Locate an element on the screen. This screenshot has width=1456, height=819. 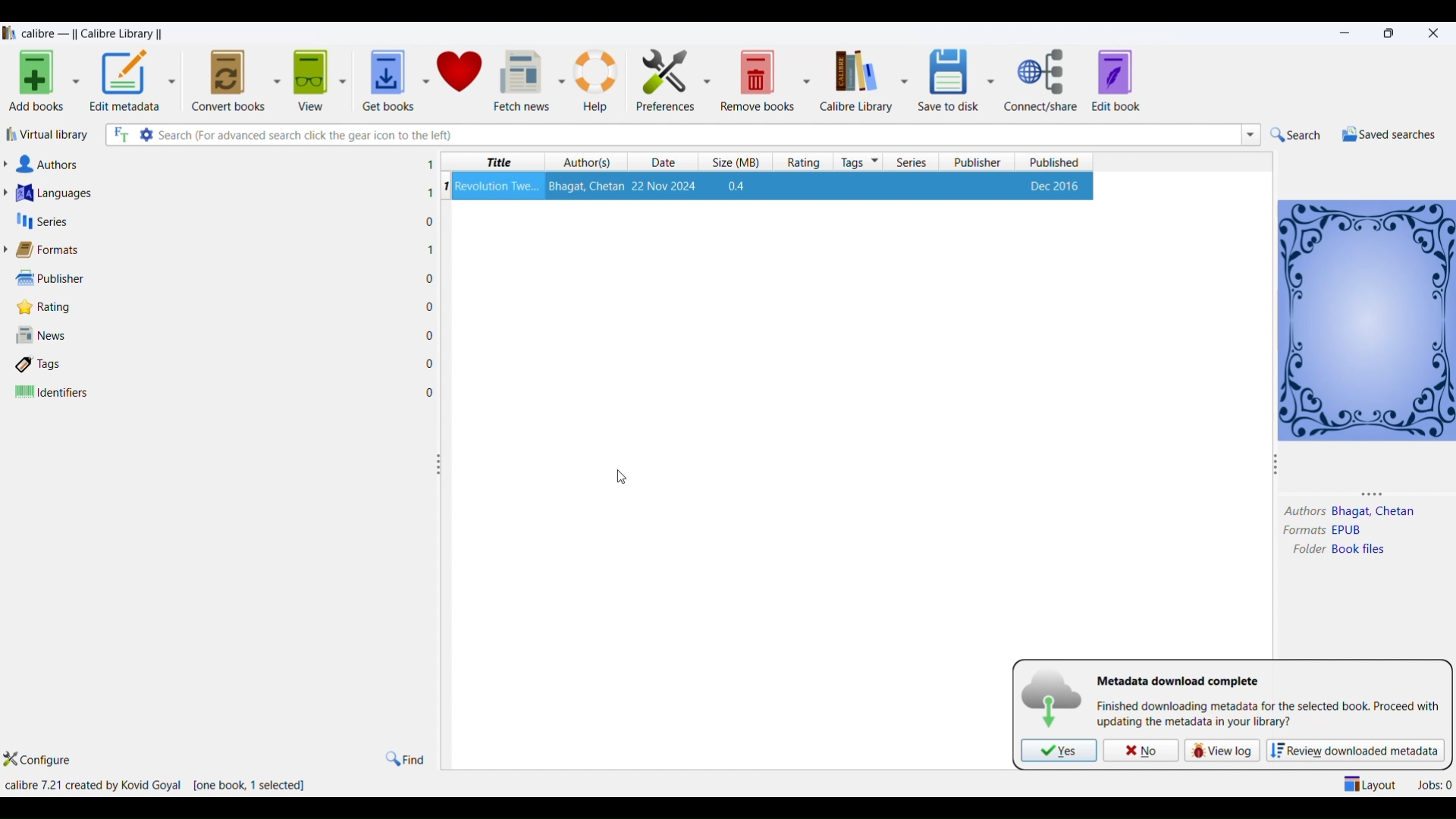
edit metadata is located at coordinates (125, 82).